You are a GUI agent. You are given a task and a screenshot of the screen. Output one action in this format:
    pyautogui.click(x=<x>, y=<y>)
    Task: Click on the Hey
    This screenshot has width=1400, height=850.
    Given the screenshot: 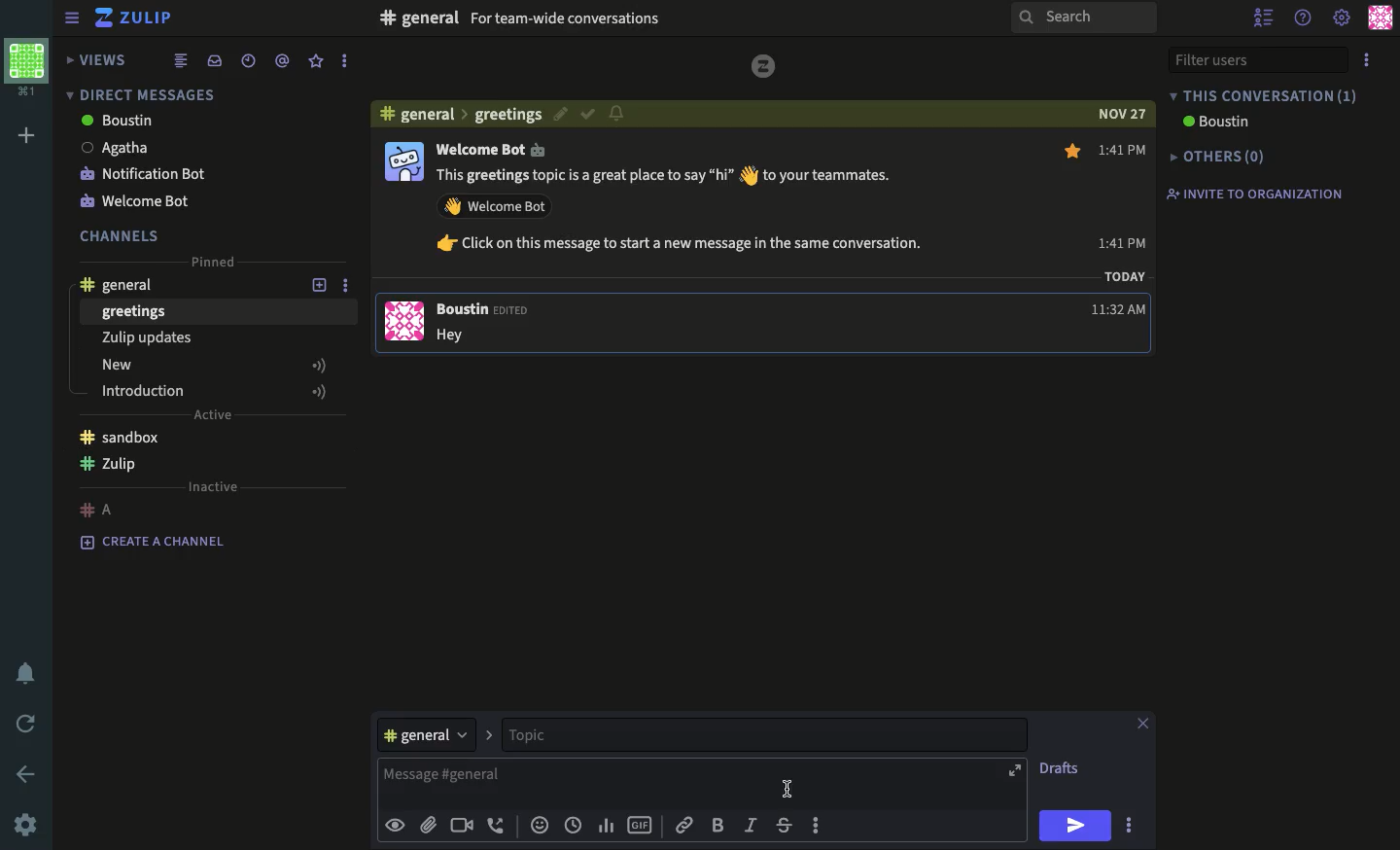 What is the action you would take?
    pyautogui.click(x=460, y=336)
    